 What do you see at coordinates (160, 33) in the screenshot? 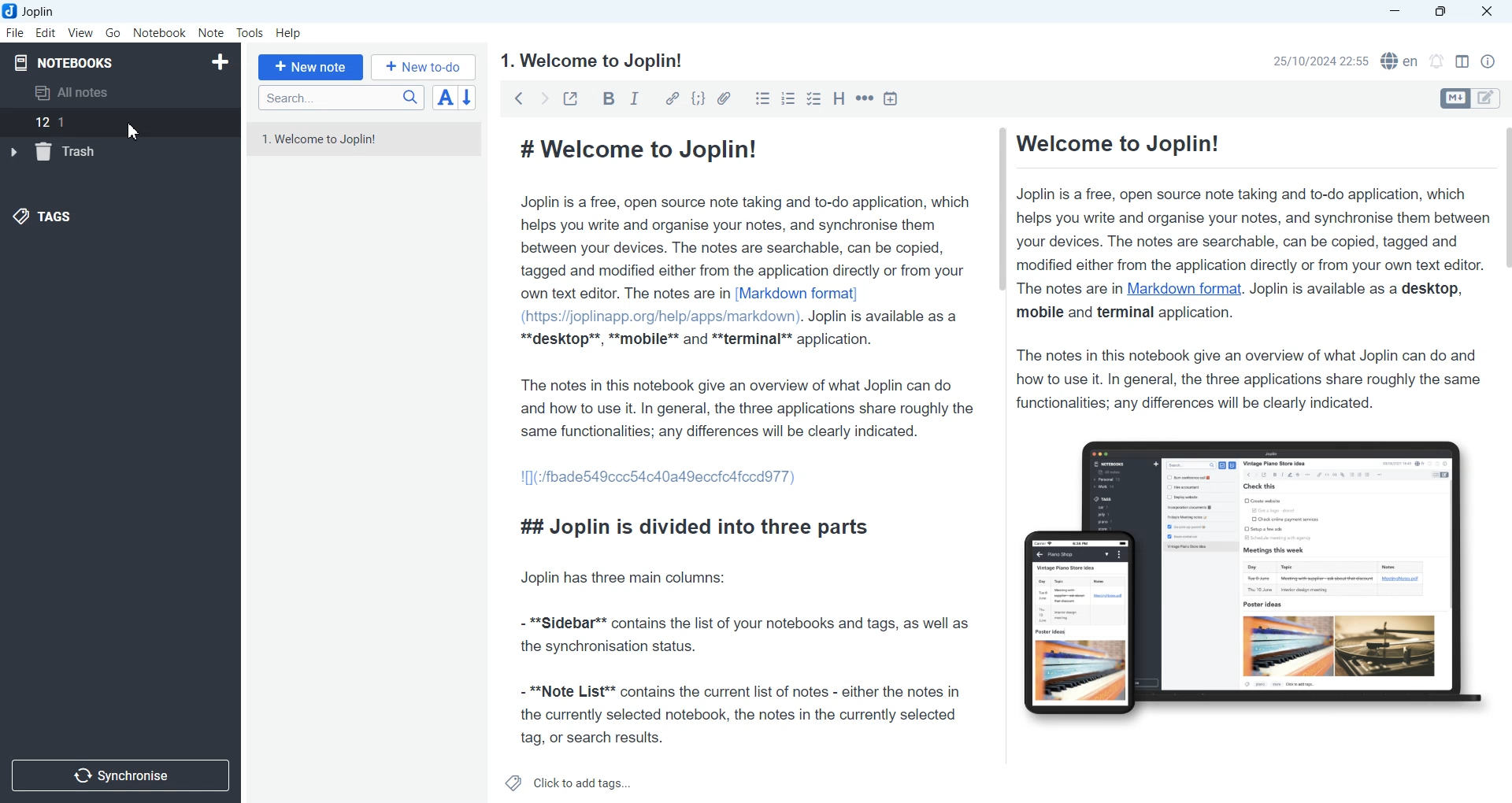
I see `Notebook` at bounding box center [160, 33].